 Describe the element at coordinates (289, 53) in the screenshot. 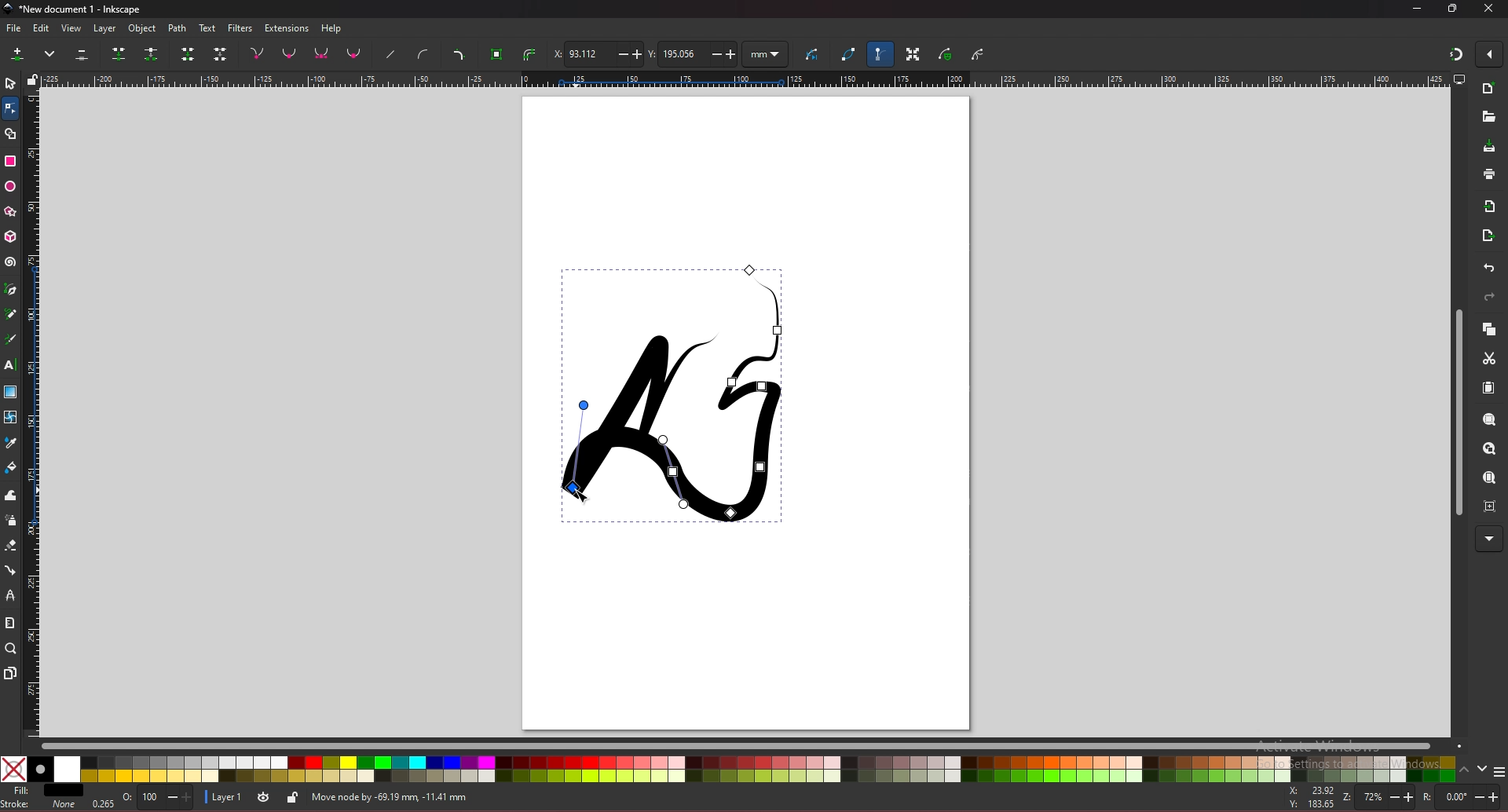

I see `smooth node` at that location.